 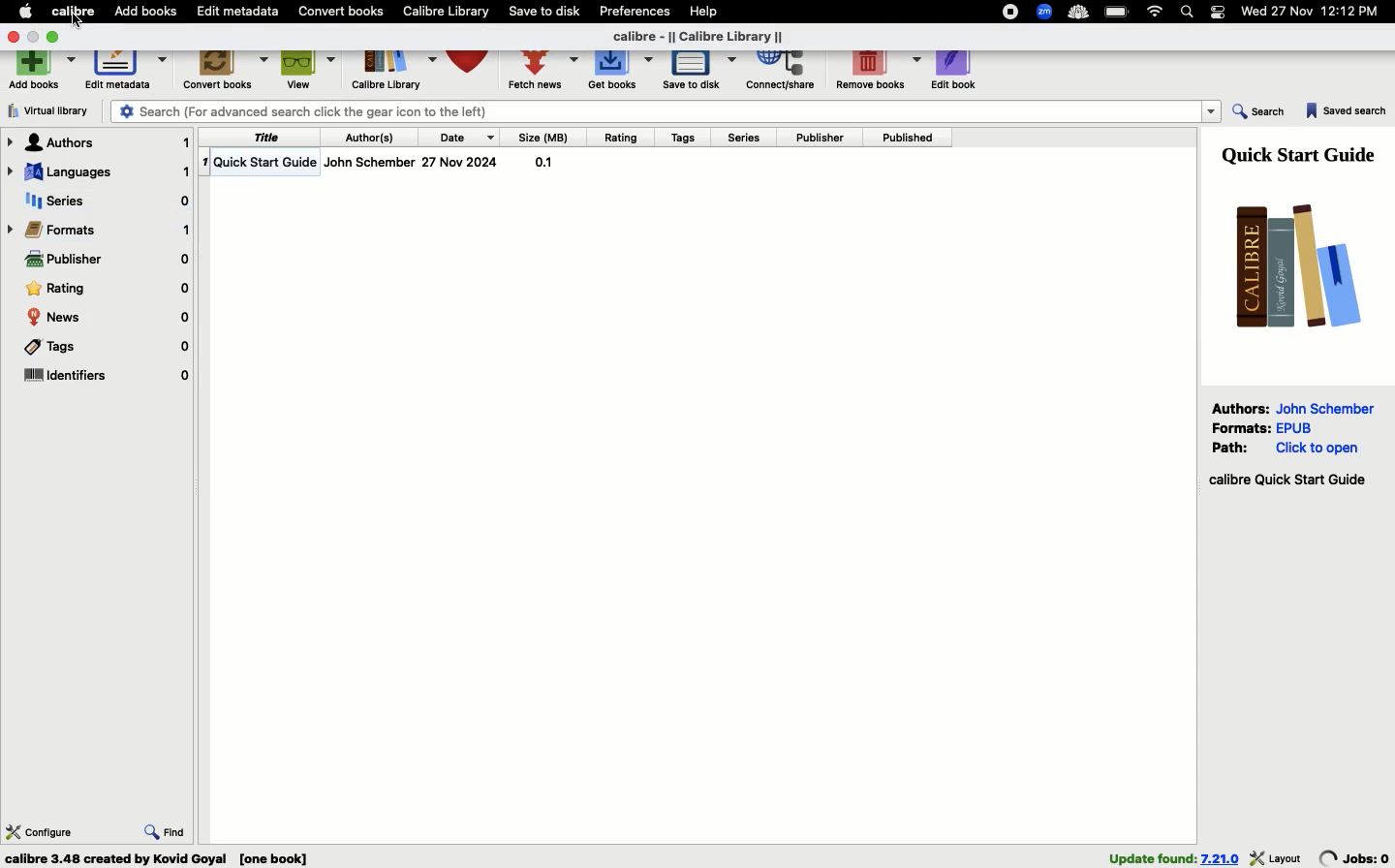 What do you see at coordinates (1317, 449) in the screenshot?
I see `click to open` at bounding box center [1317, 449].